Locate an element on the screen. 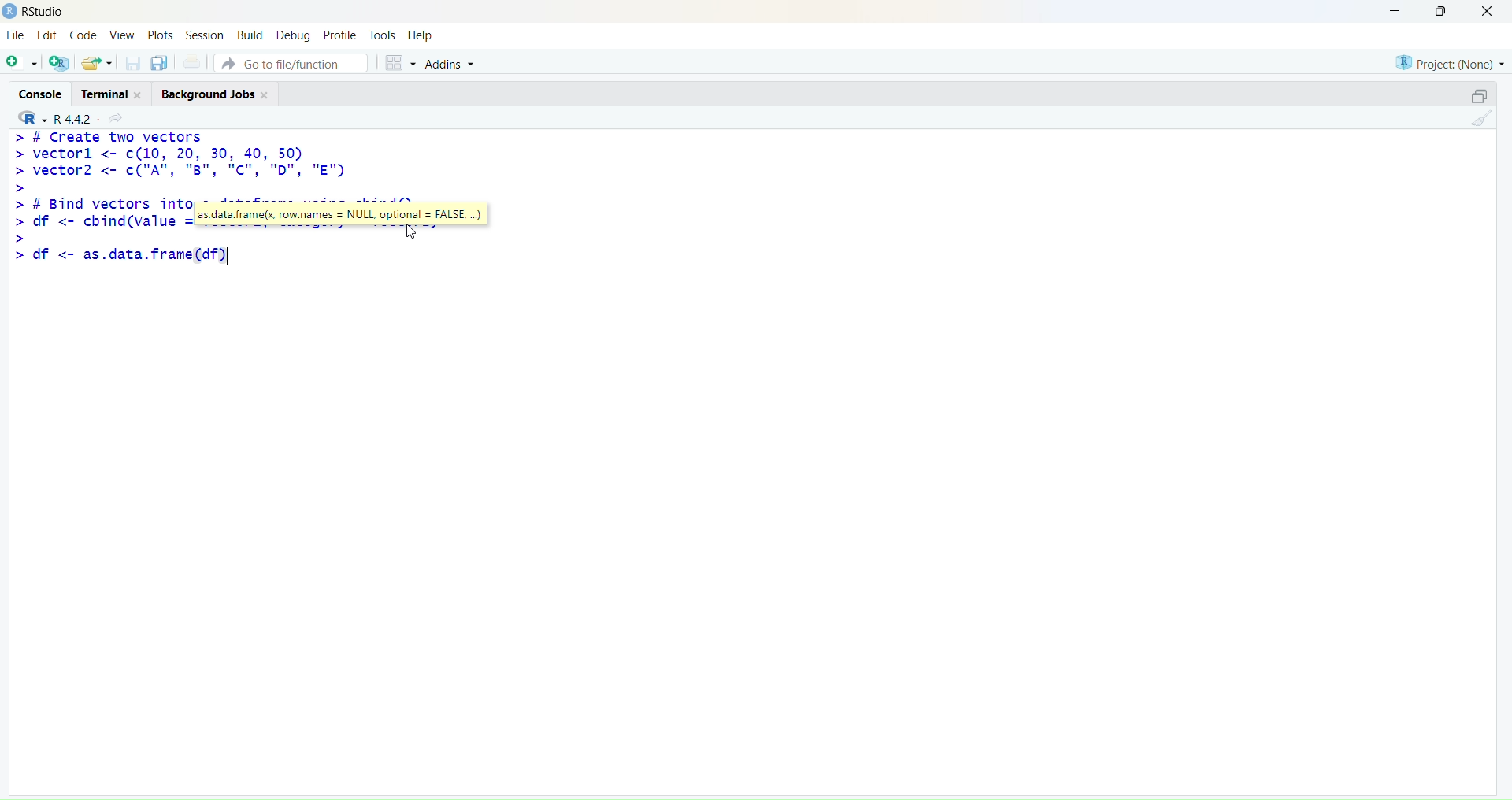 This screenshot has height=800, width=1512. clear console is located at coordinates (1481, 119).